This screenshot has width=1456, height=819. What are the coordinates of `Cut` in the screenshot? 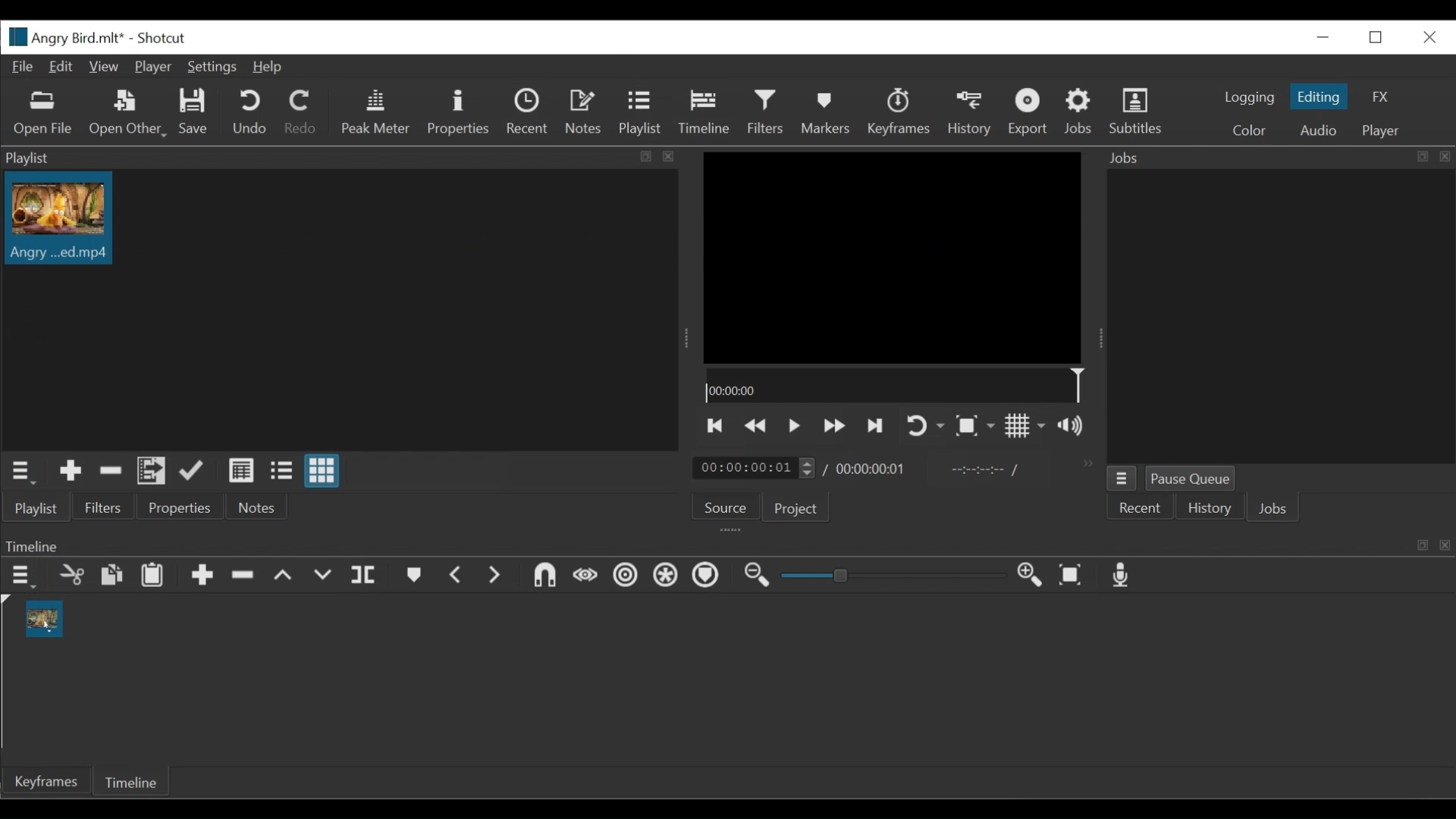 It's located at (71, 574).